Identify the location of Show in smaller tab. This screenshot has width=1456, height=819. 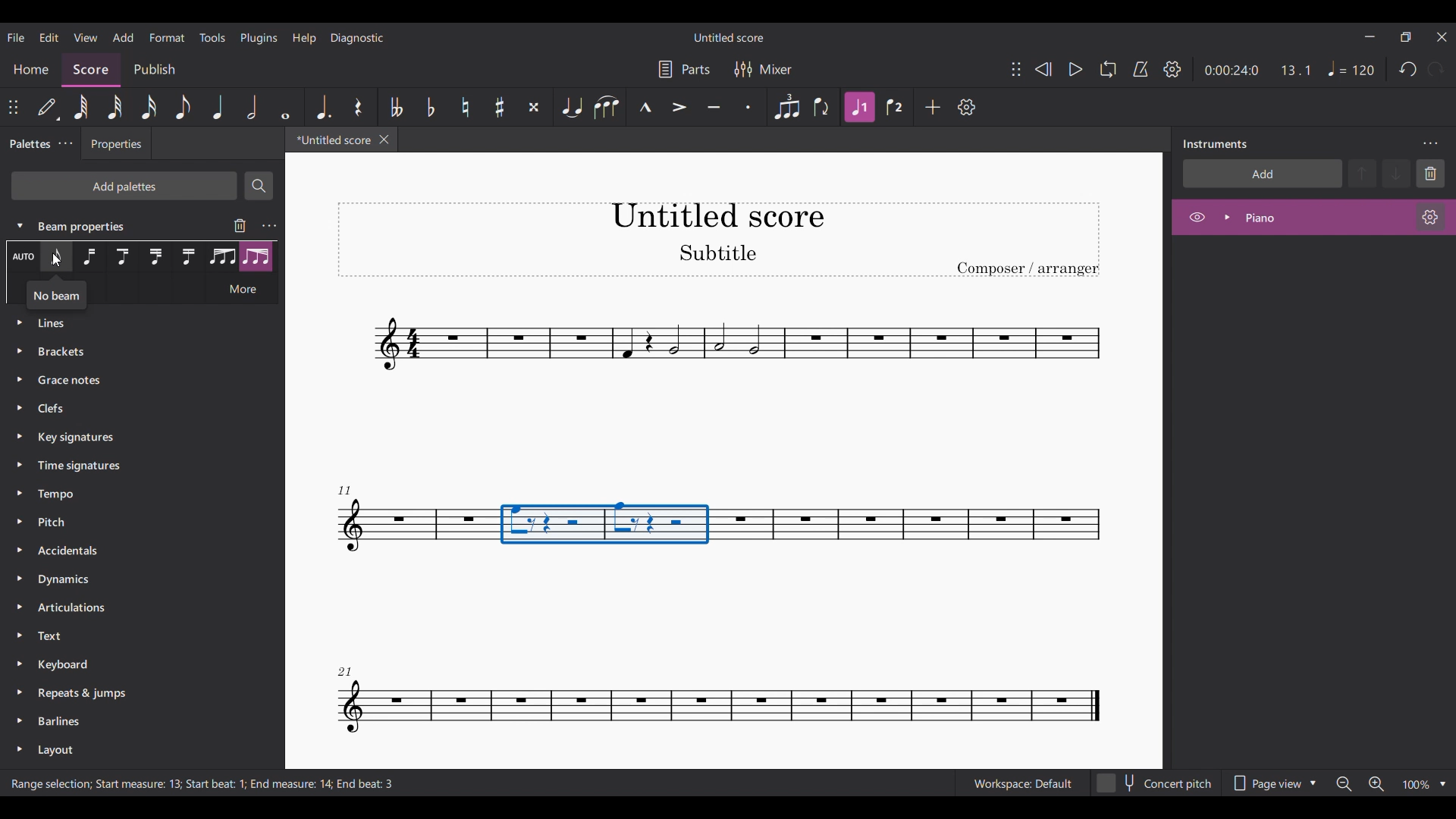
(1405, 36).